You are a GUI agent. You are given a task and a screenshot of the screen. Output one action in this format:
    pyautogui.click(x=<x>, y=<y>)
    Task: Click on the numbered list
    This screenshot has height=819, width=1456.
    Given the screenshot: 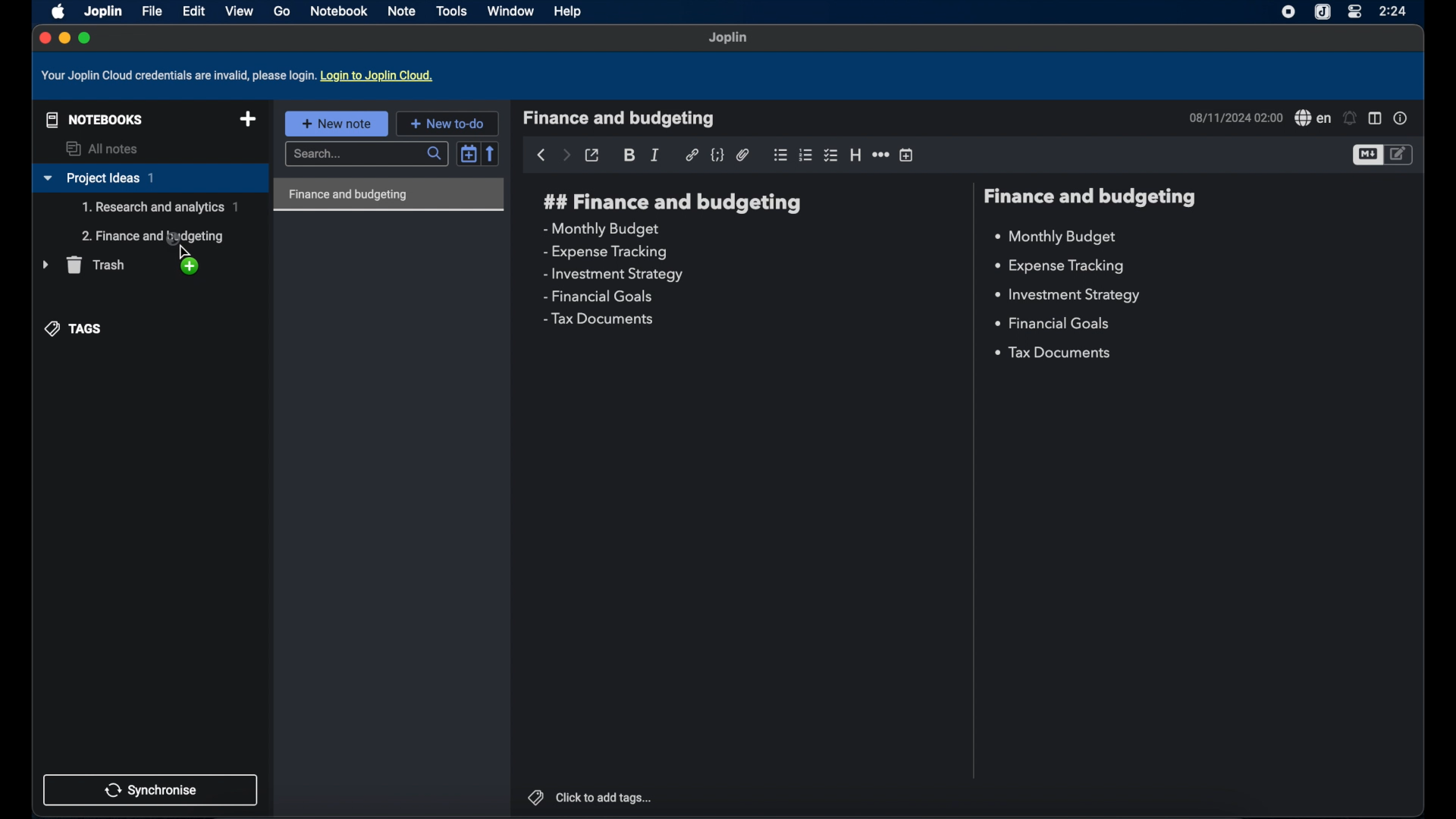 What is the action you would take?
    pyautogui.click(x=806, y=155)
    